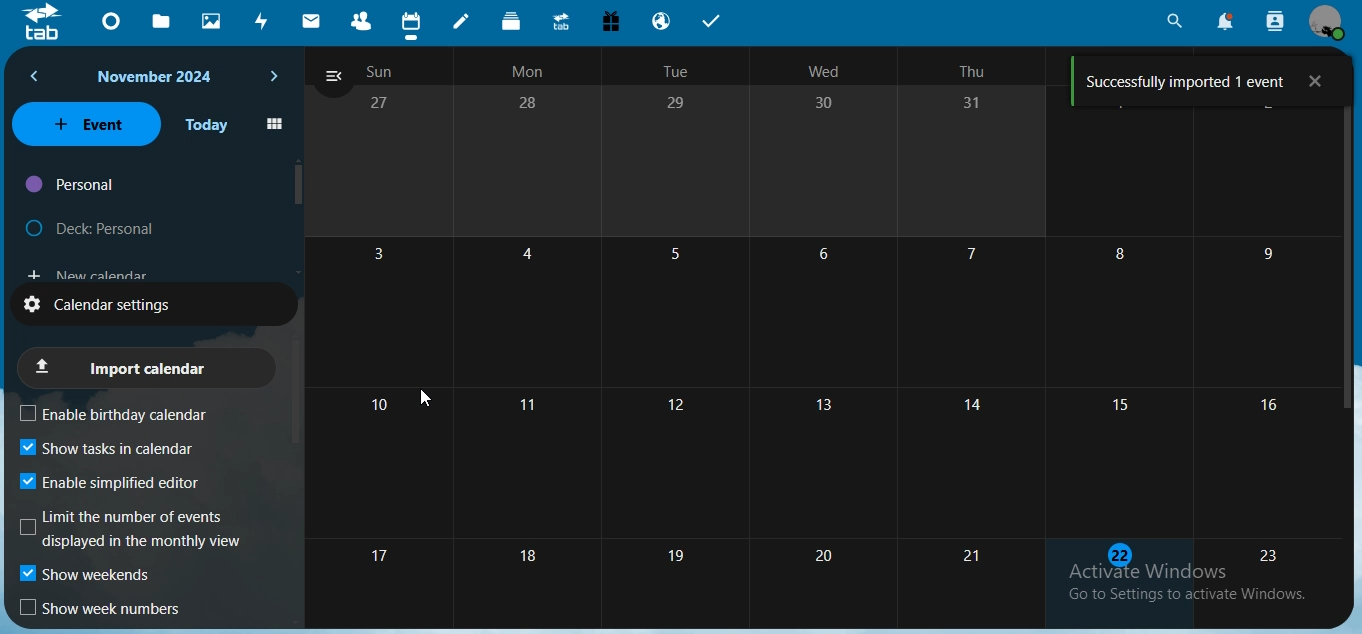 Image resolution: width=1362 pixels, height=634 pixels. Describe the element at coordinates (144, 367) in the screenshot. I see `import calendar` at that location.